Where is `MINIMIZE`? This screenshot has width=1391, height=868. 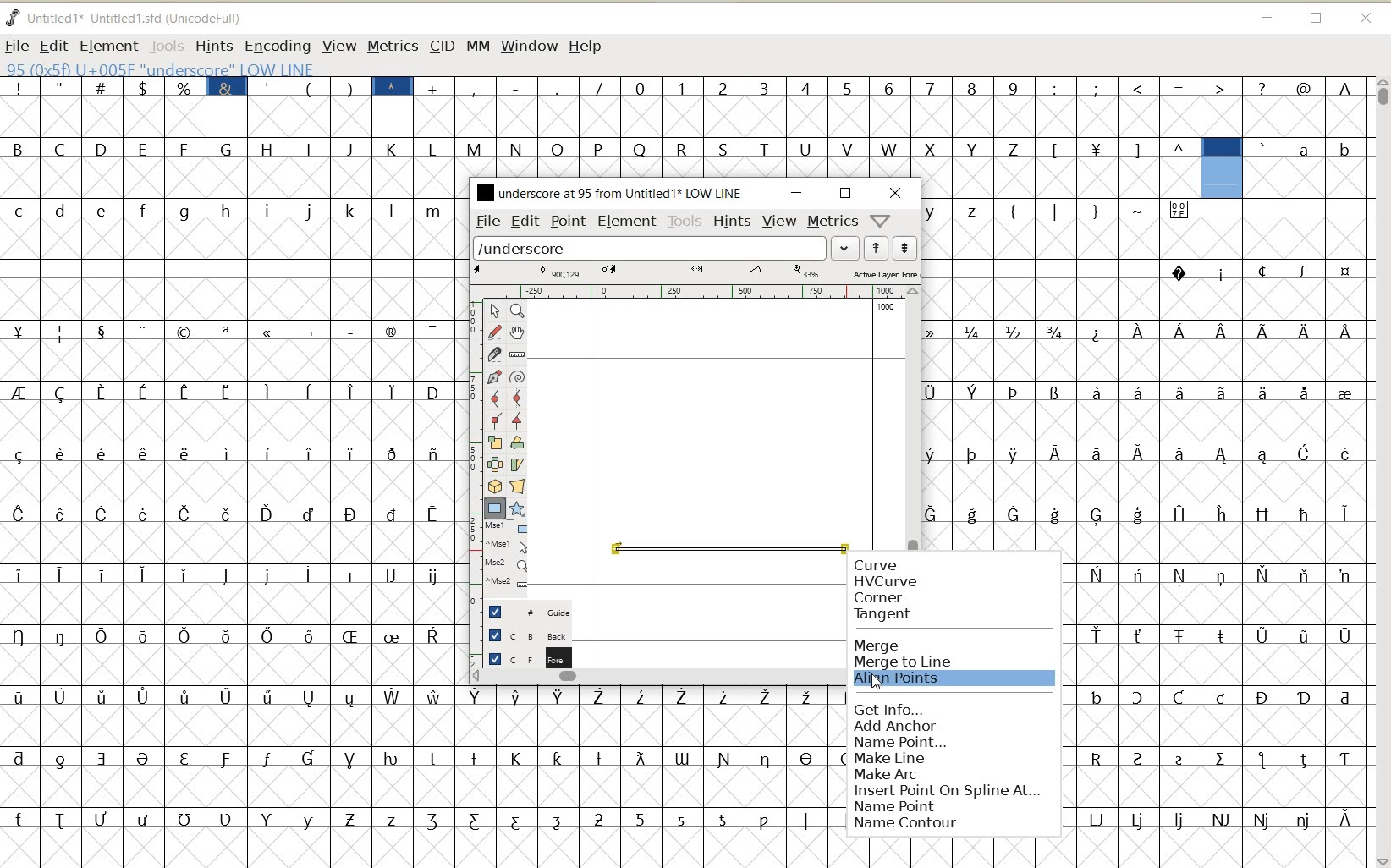
MINIMIZE is located at coordinates (798, 193).